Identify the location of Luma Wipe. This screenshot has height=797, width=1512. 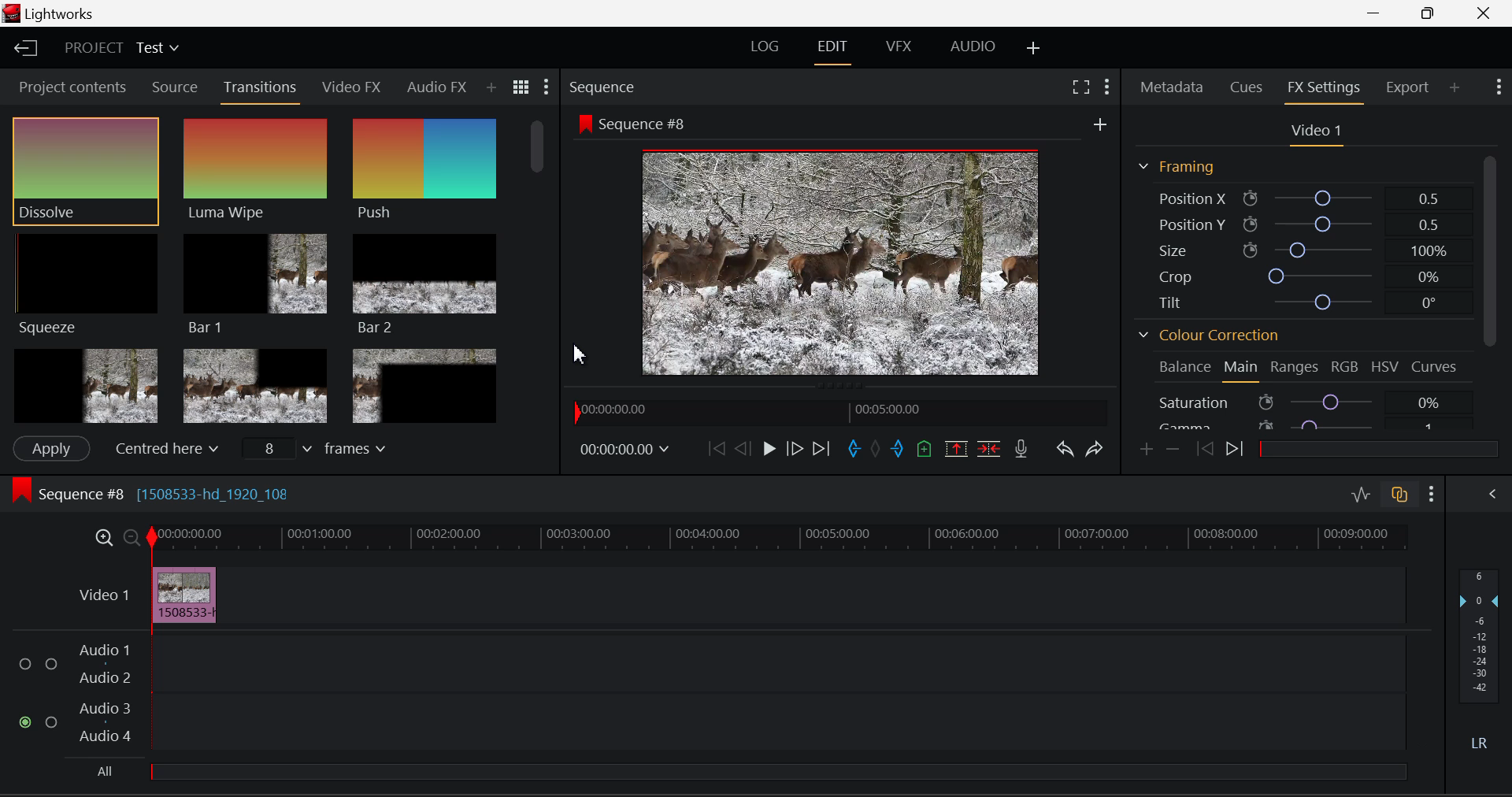
(254, 170).